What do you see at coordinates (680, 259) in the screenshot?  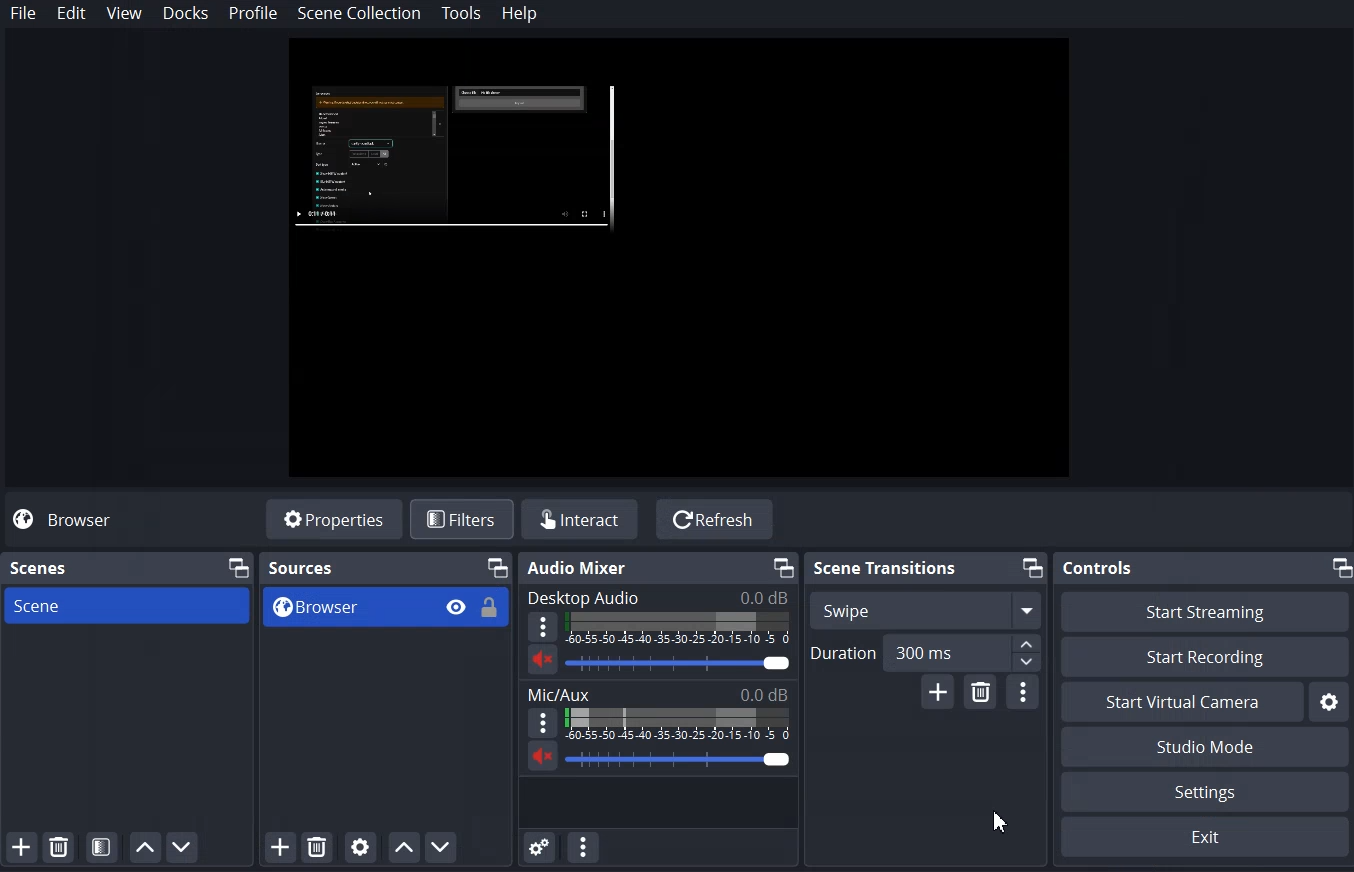 I see `File Preview` at bounding box center [680, 259].